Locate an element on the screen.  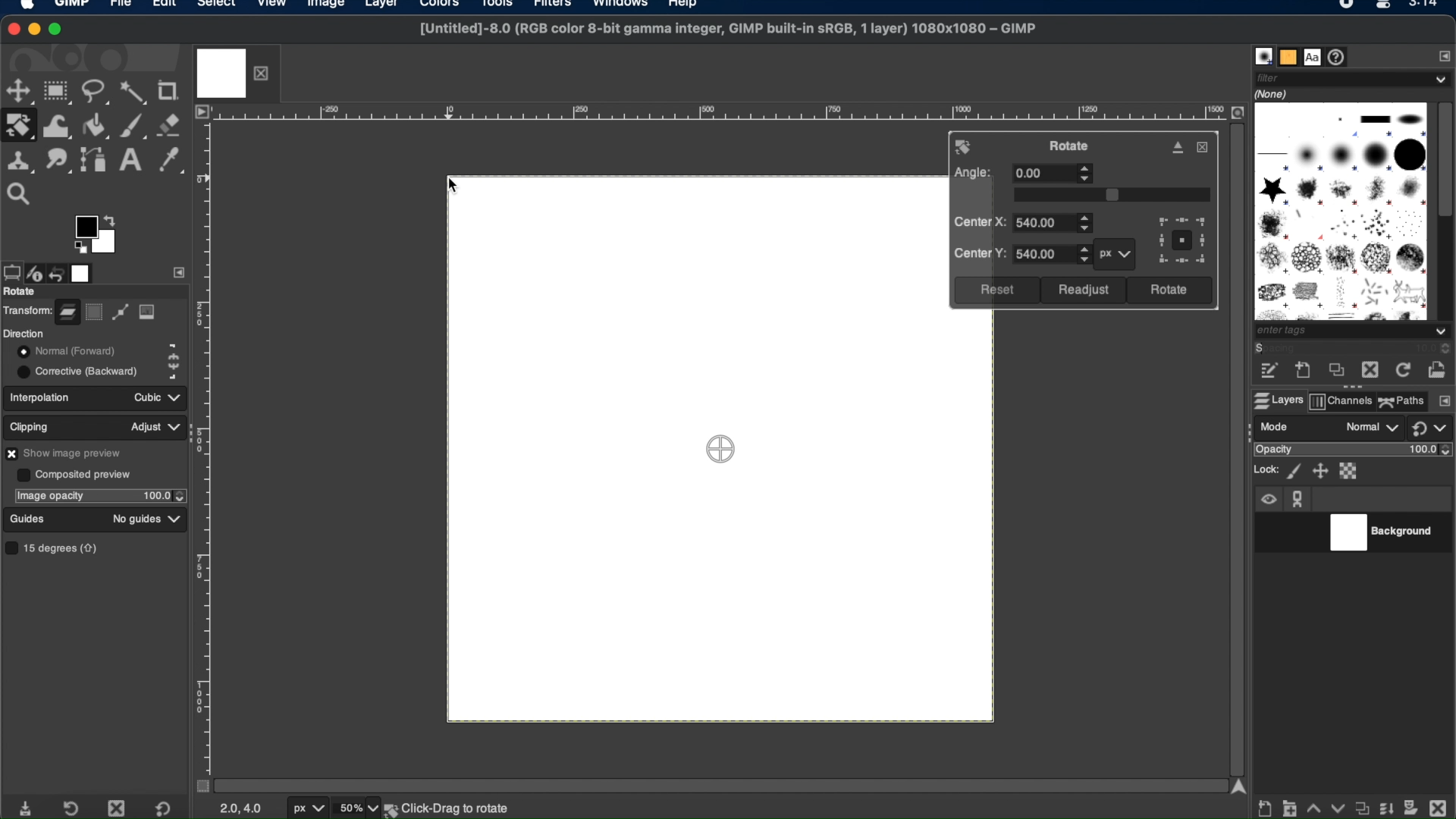
tool options is located at coordinates (11, 271).